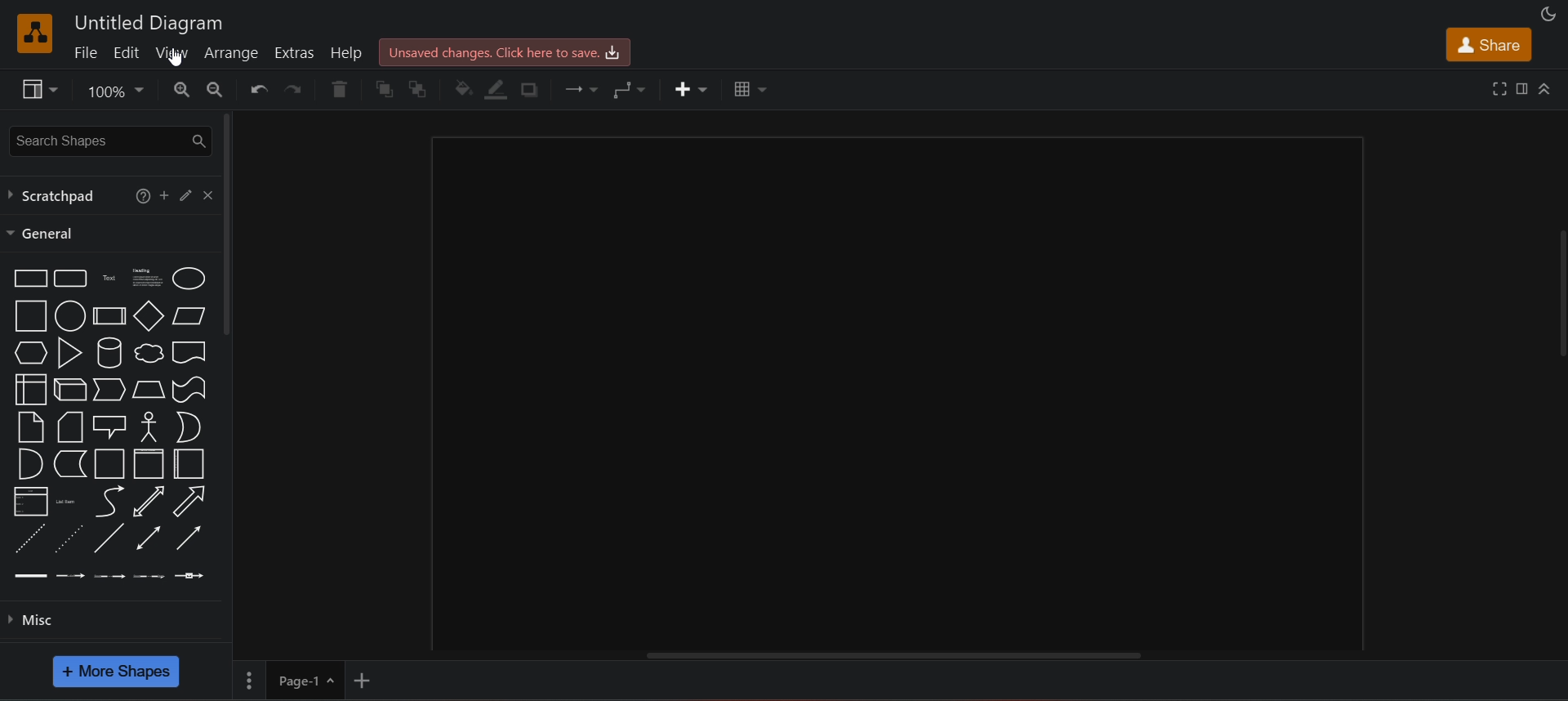 The image size is (1568, 701). What do you see at coordinates (898, 391) in the screenshot?
I see `canvas without grid lines` at bounding box center [898, 391].